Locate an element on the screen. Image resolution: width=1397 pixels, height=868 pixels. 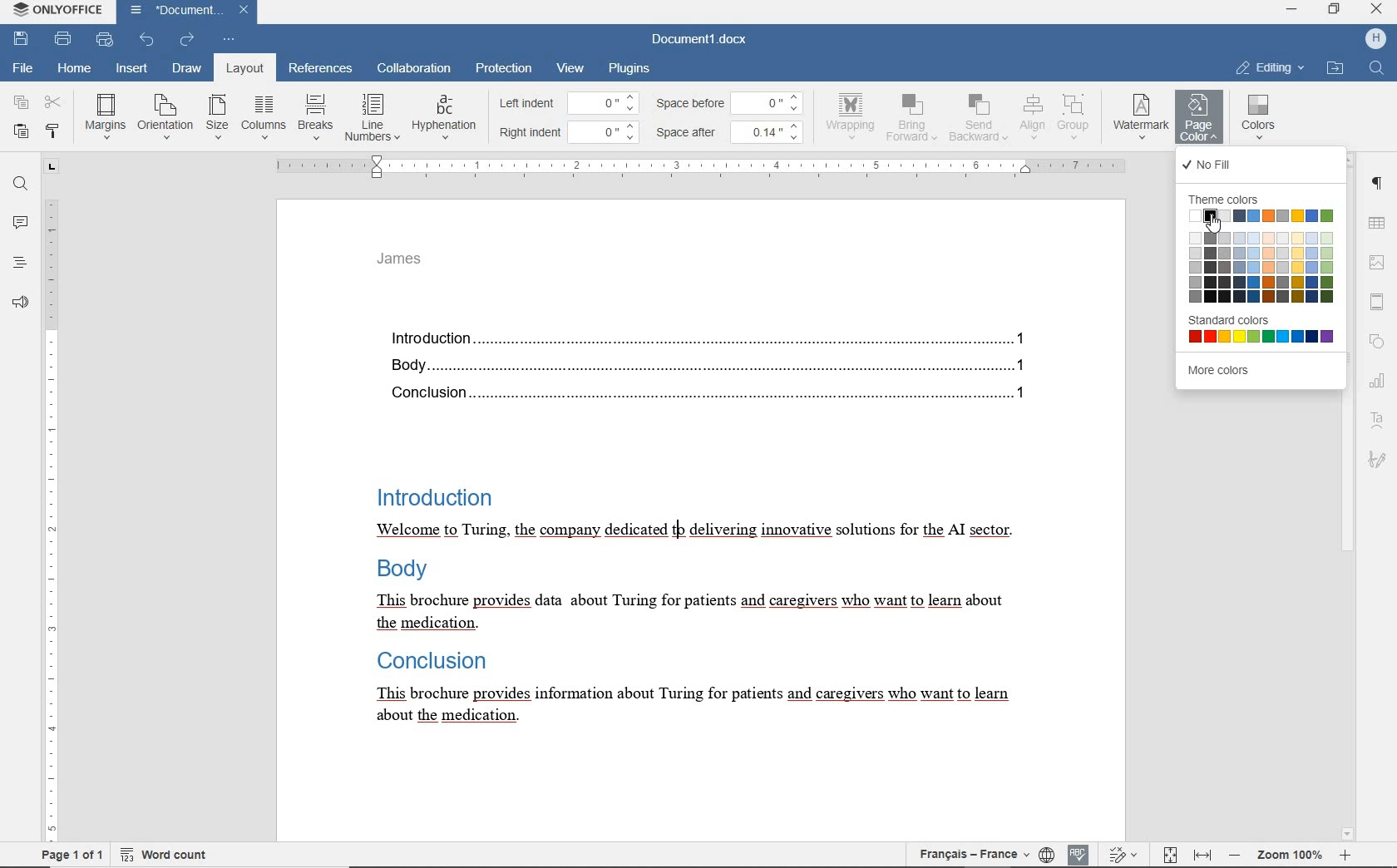
paragraph settings is located at coordinates (1379, 186).